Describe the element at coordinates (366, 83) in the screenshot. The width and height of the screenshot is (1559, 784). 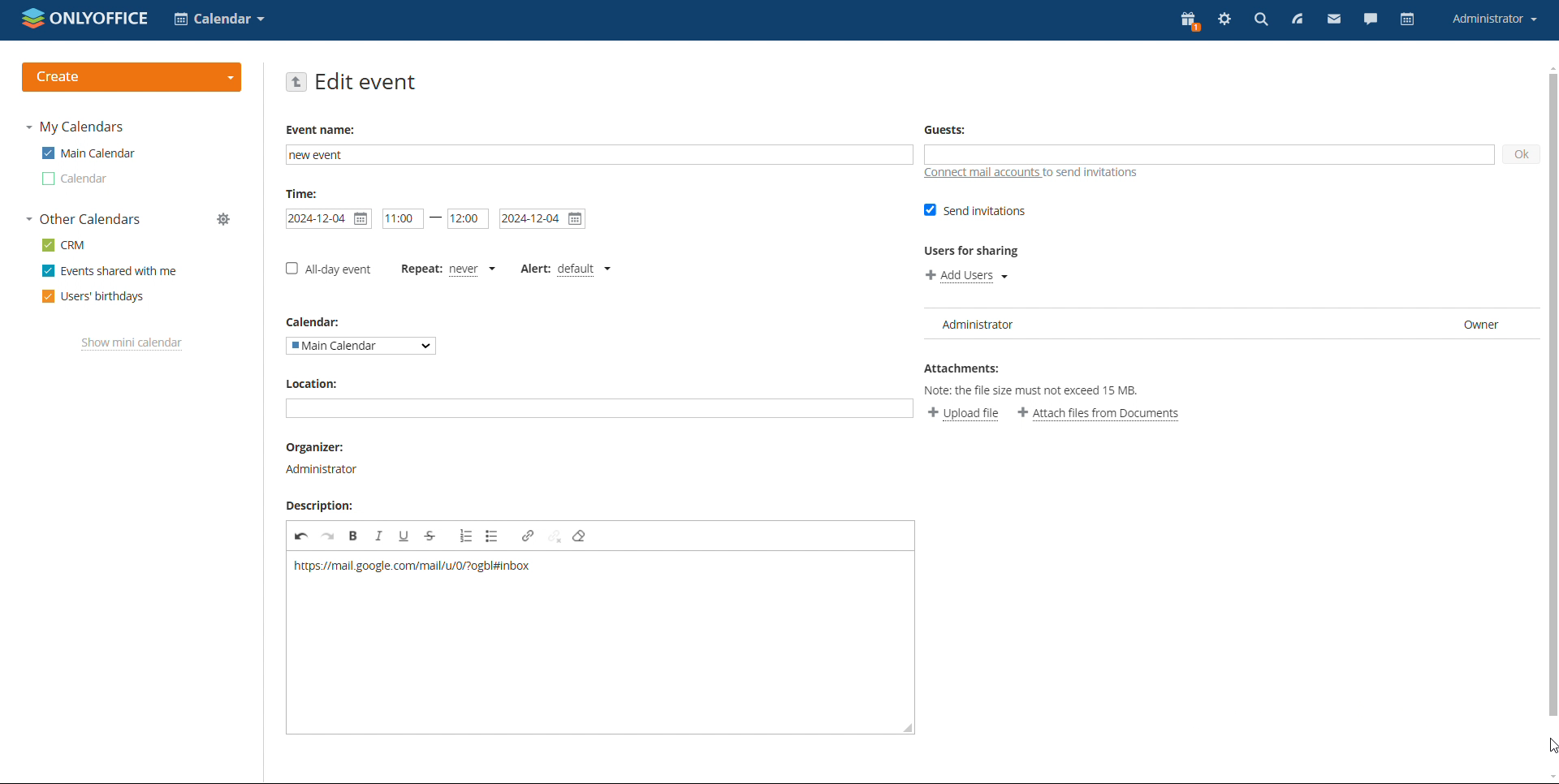
I see `edit event` at that location.